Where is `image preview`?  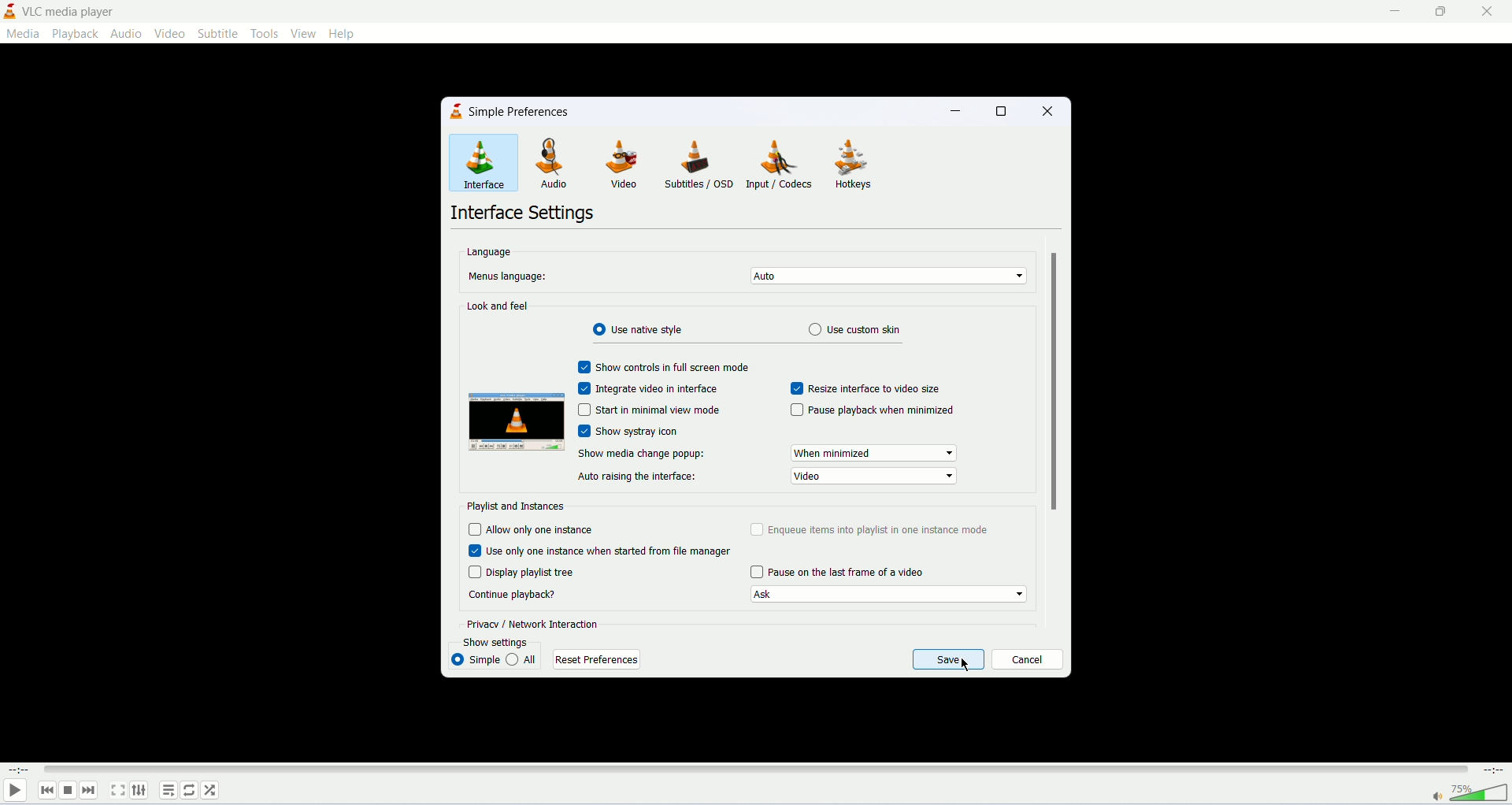 image preview is located at coordinates (516, 422).